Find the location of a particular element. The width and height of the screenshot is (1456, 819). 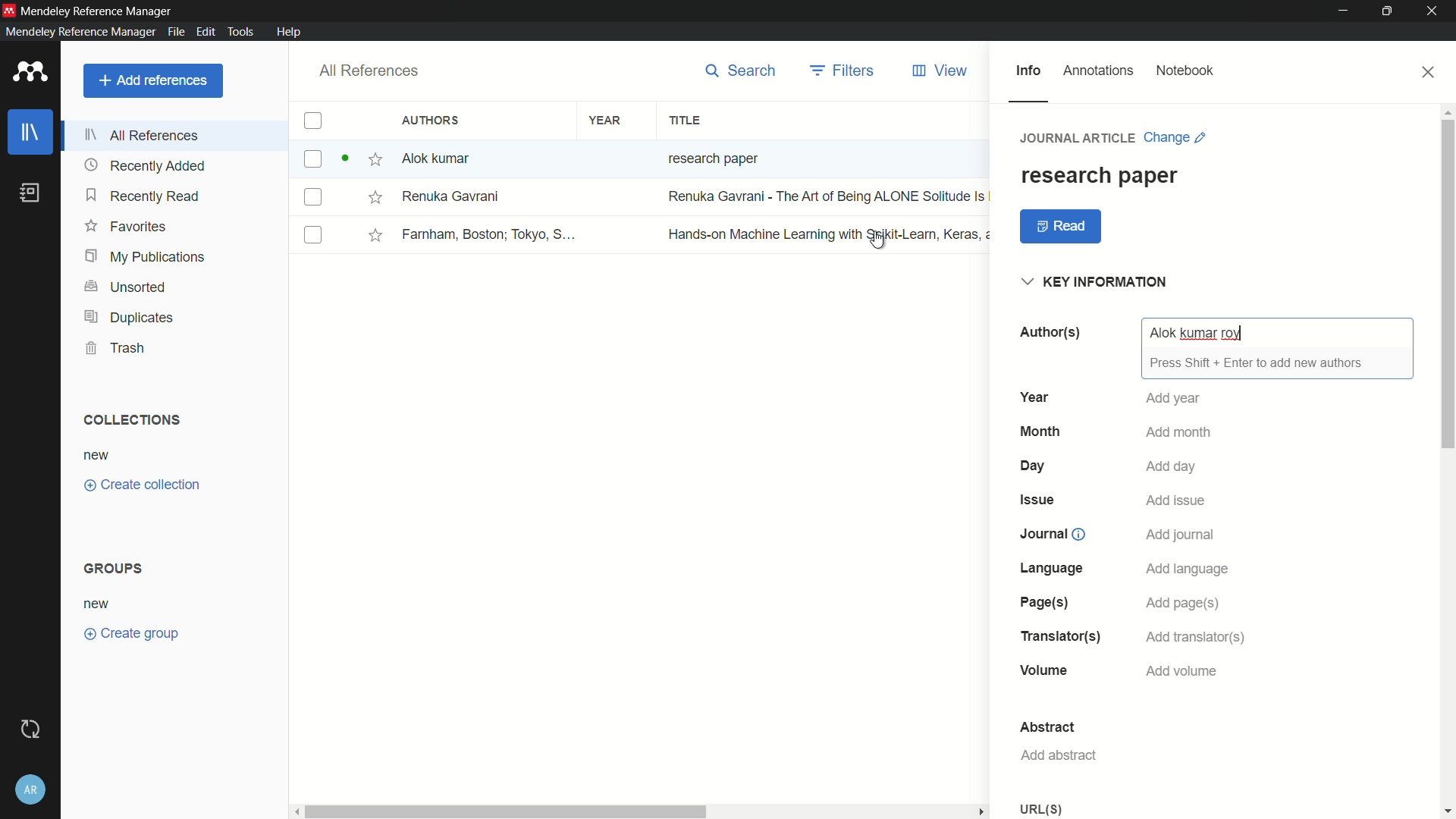

app name is located at coordinates (98, 11).